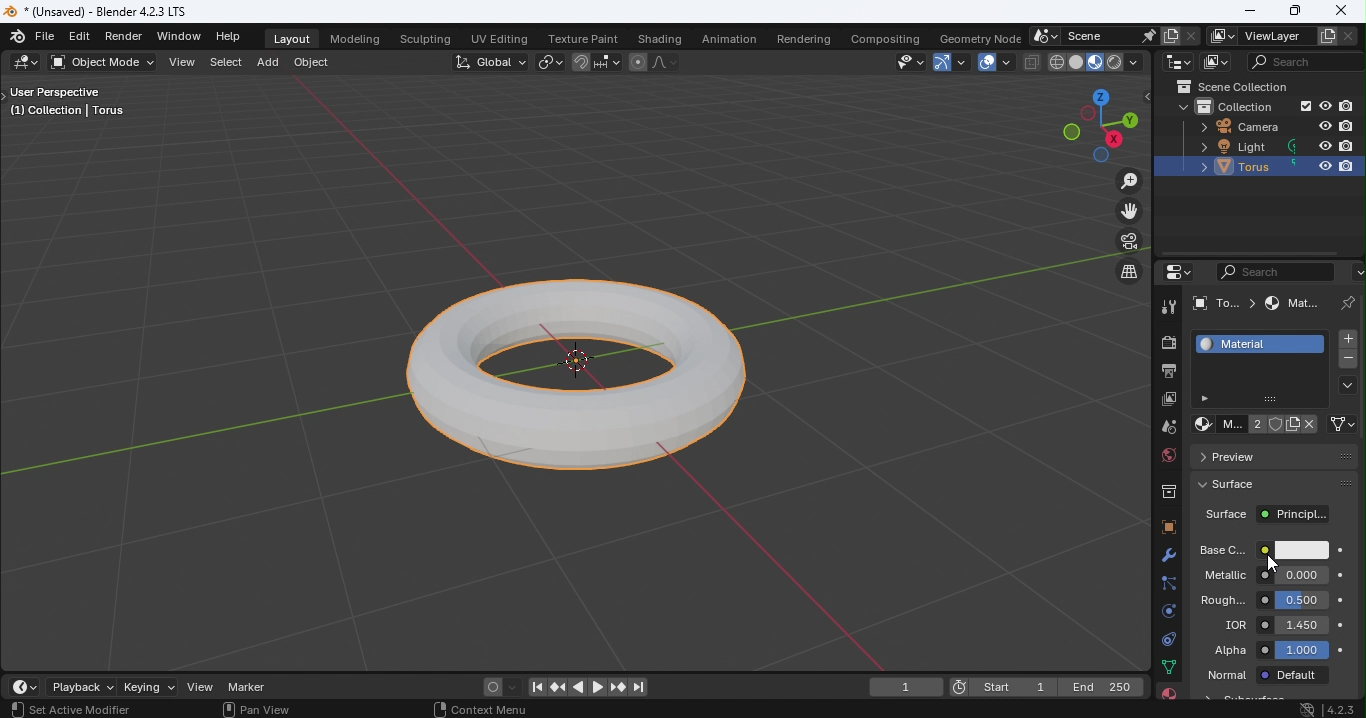 This screenshot has height=718, width=1366. I want to click on Compositing, so click(887, 40).